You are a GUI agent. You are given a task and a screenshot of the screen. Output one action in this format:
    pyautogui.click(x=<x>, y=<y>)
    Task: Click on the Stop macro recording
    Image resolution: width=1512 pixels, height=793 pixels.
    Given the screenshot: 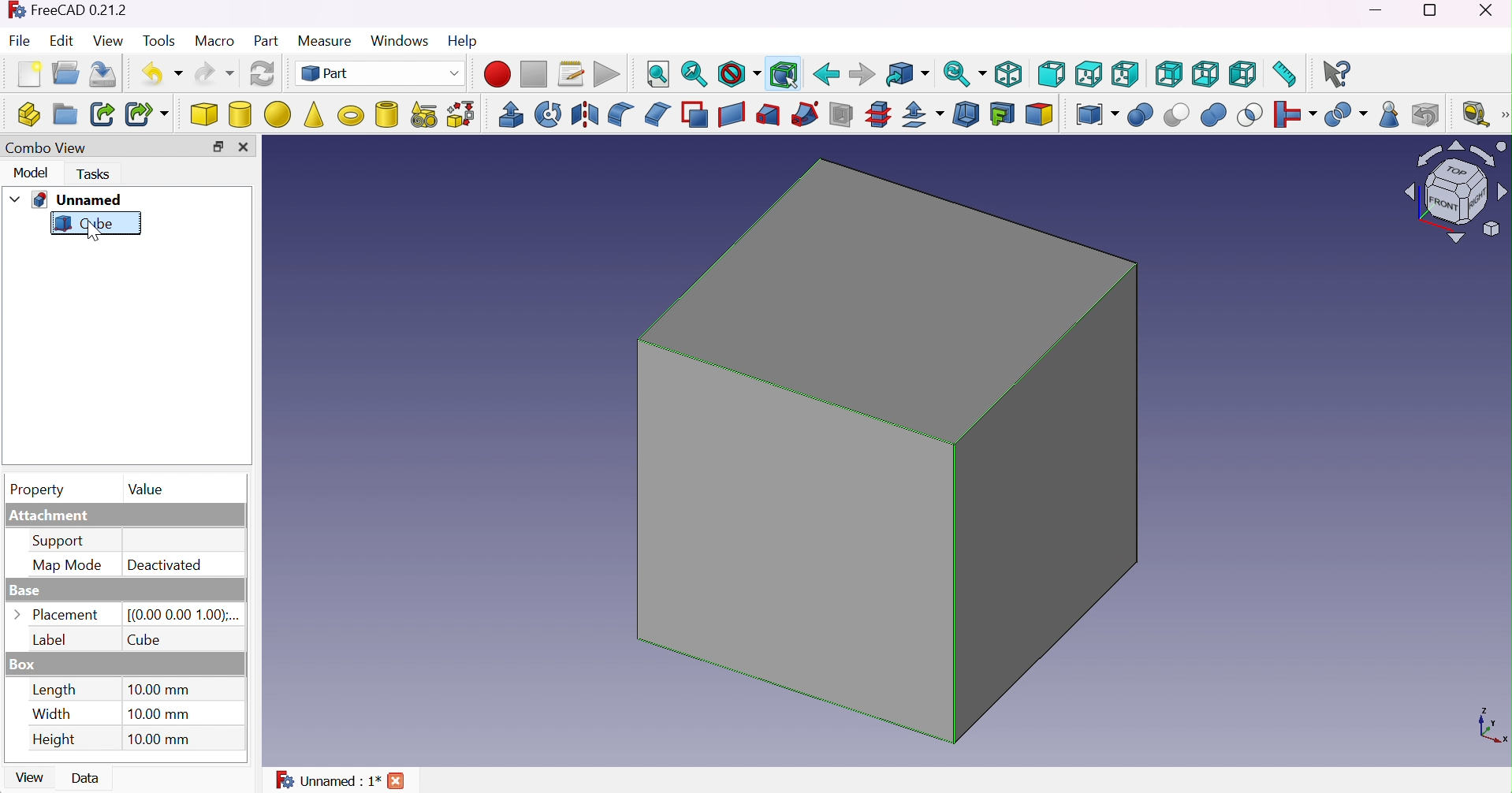 What is the action you would take?
    pyautogui.click(x=534, y=75)
    